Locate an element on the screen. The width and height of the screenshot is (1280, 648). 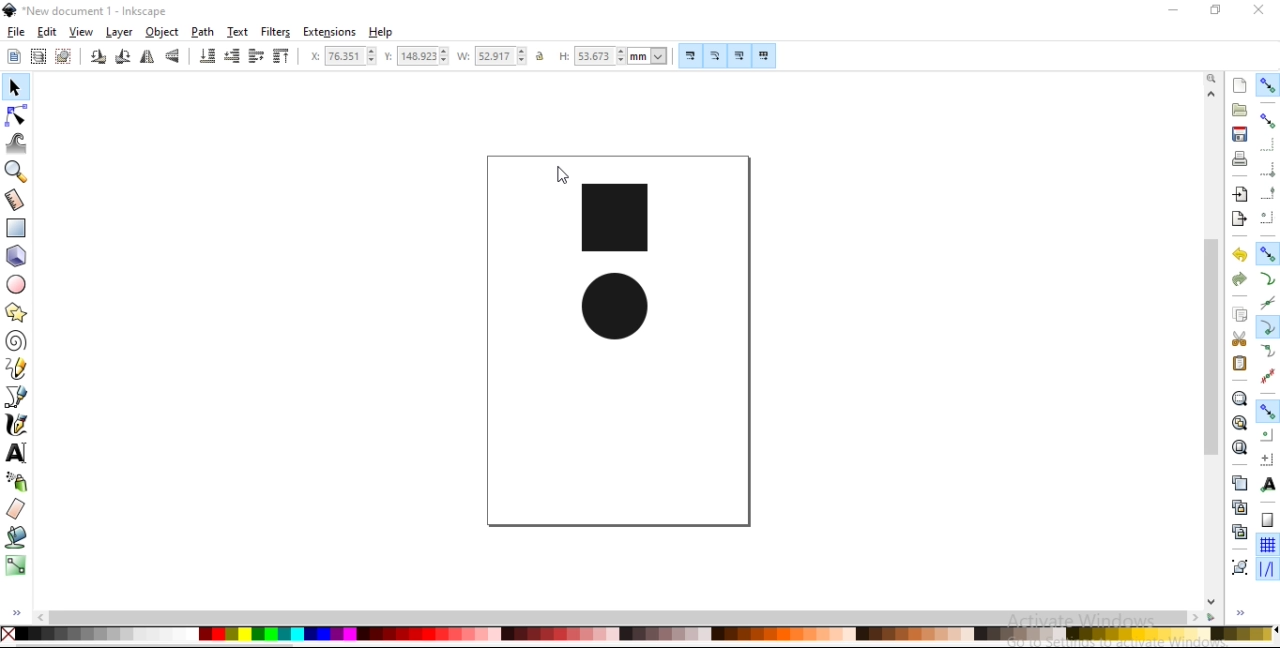
paste is located at coordinates (1240, 364).